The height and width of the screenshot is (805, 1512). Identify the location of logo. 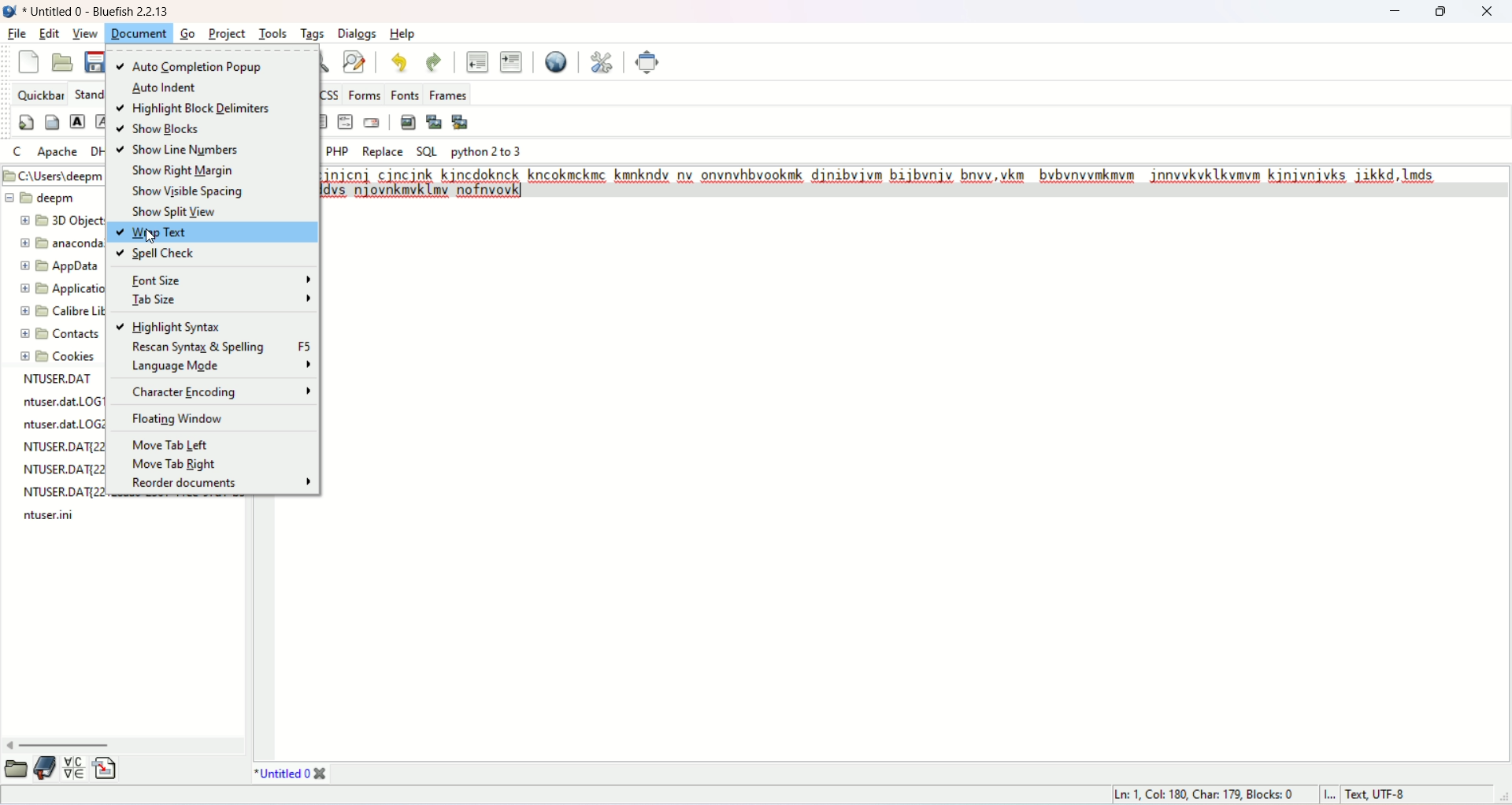
(9, 12).